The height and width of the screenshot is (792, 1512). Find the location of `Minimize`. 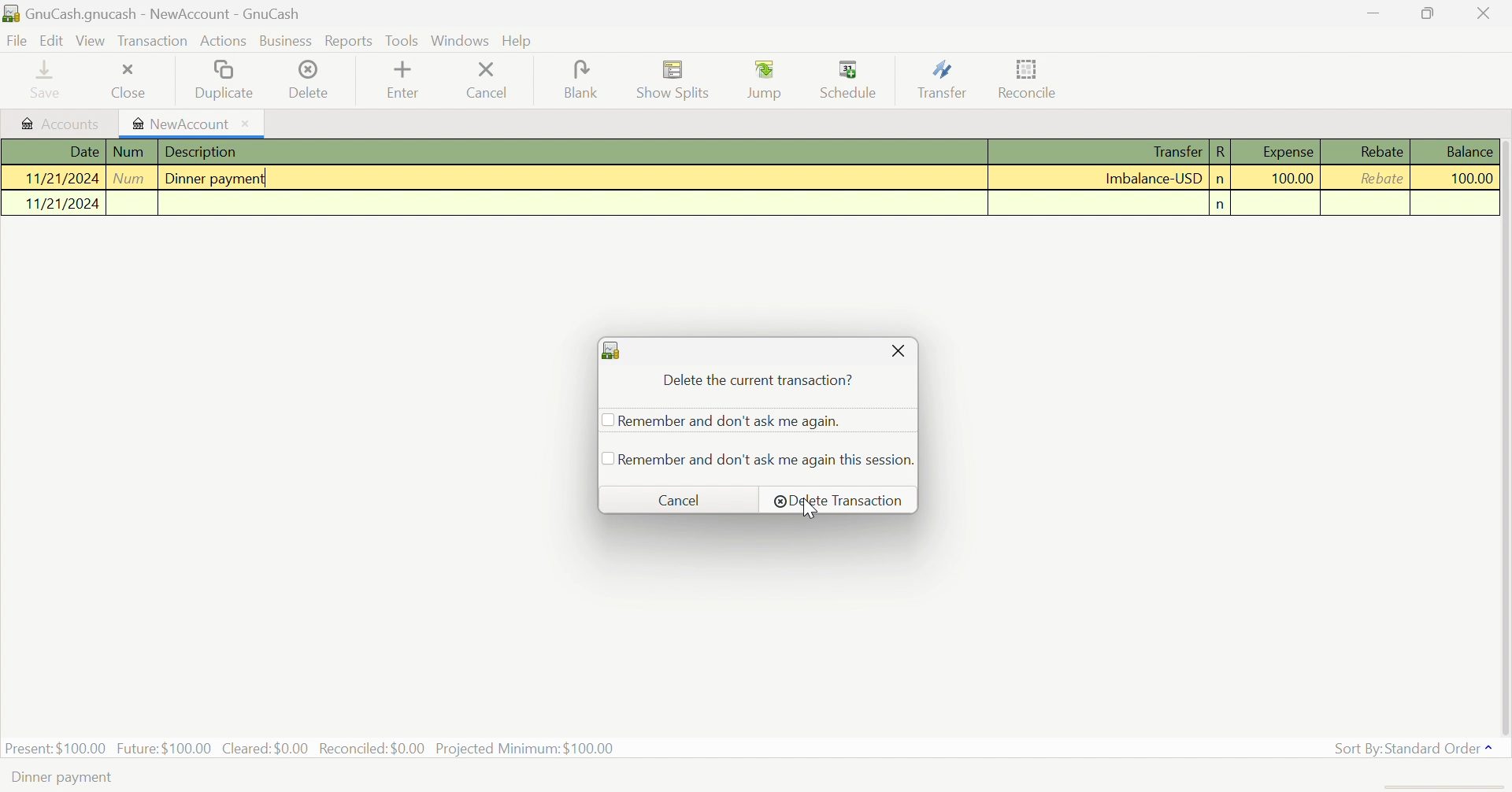

Minimize is located at coordinates (1369, 15).